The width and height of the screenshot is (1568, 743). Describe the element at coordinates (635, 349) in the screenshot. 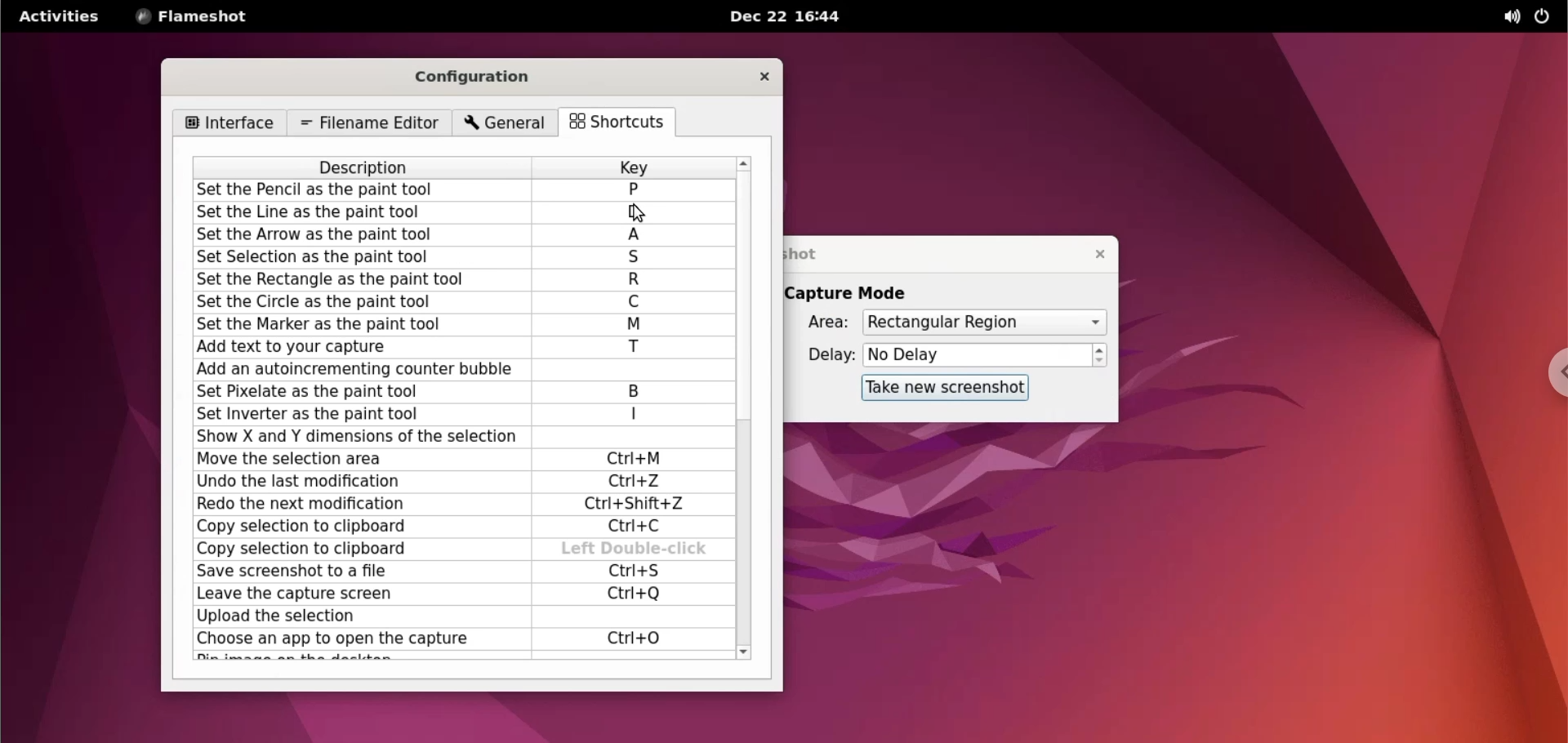

I see `T ` at that location.